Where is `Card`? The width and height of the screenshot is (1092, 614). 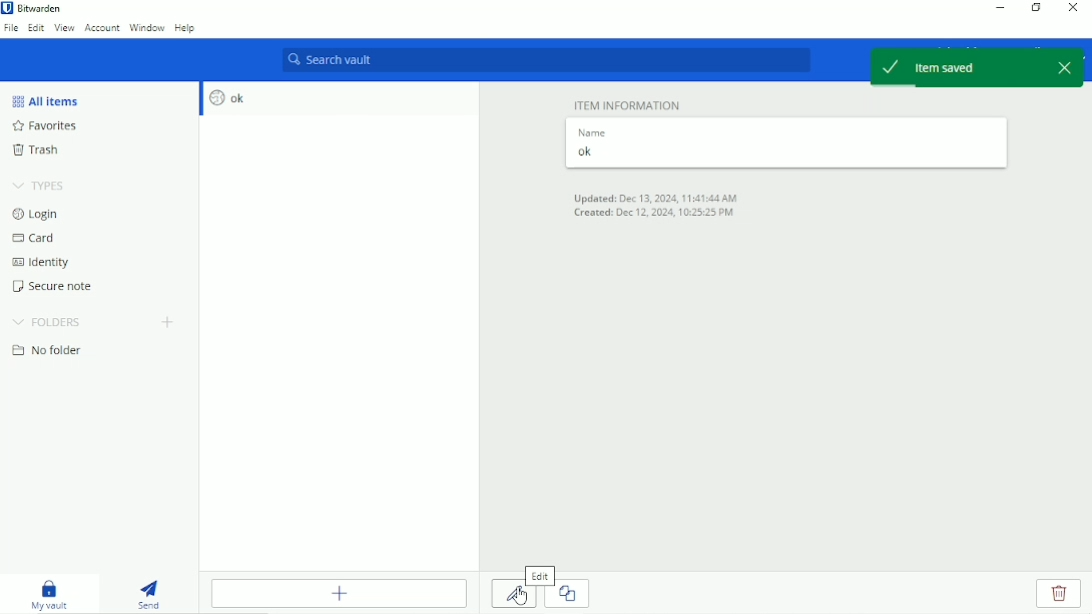 Card is located at coordinates (33, 238).